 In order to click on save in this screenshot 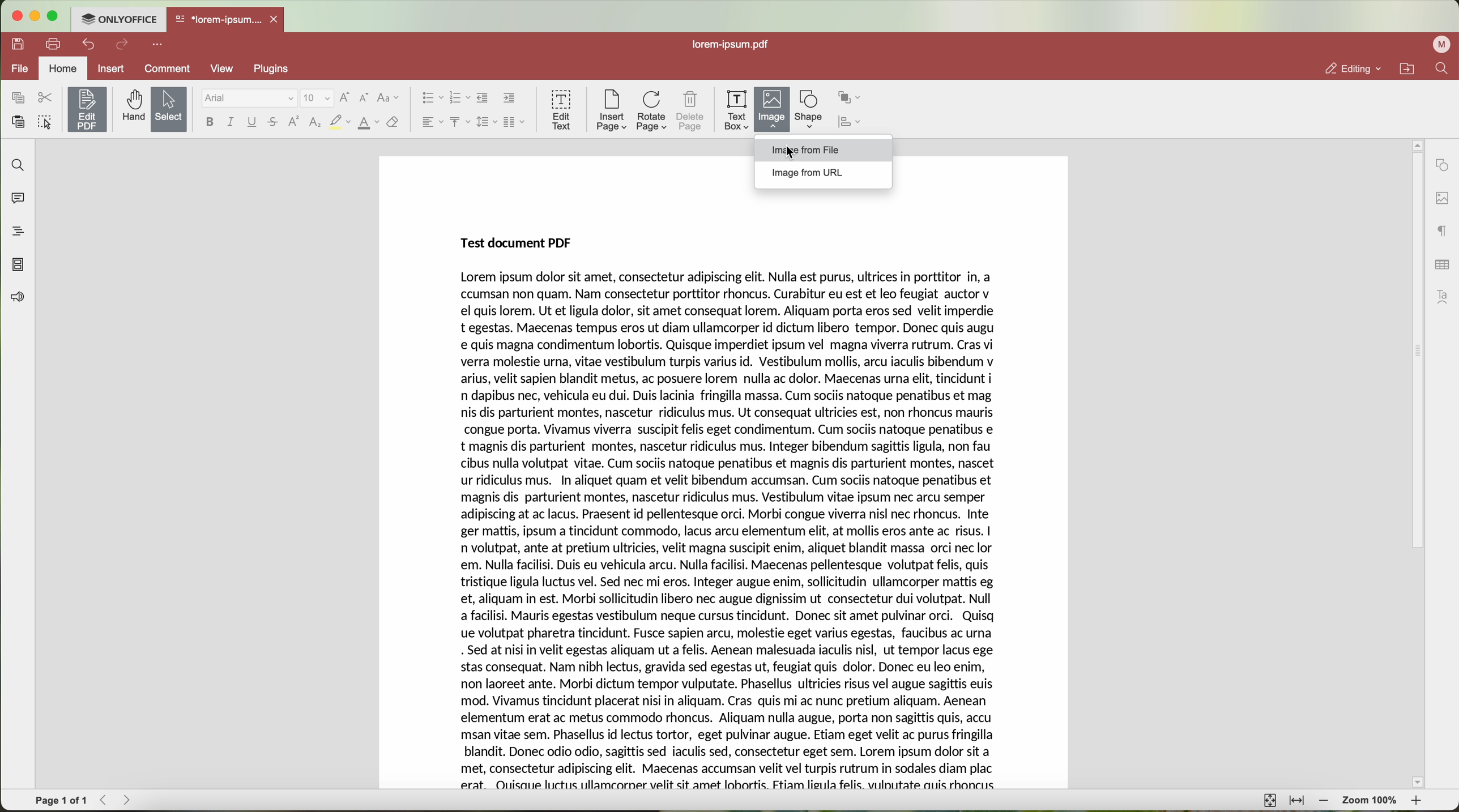, I will do `click(15, 43)`.